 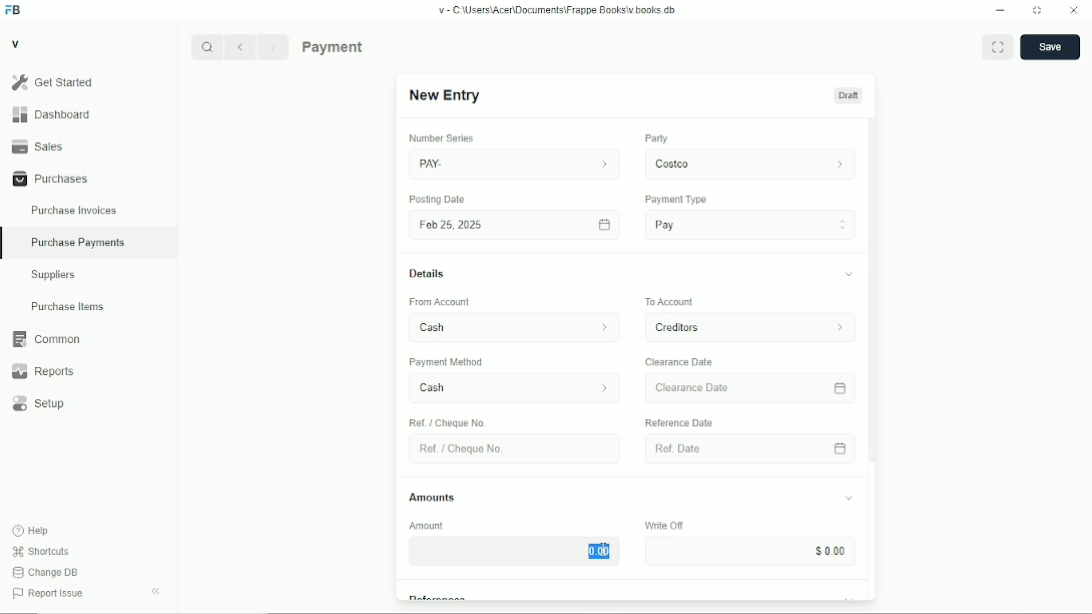 I want to click on Search, so click(x=207, y=47).